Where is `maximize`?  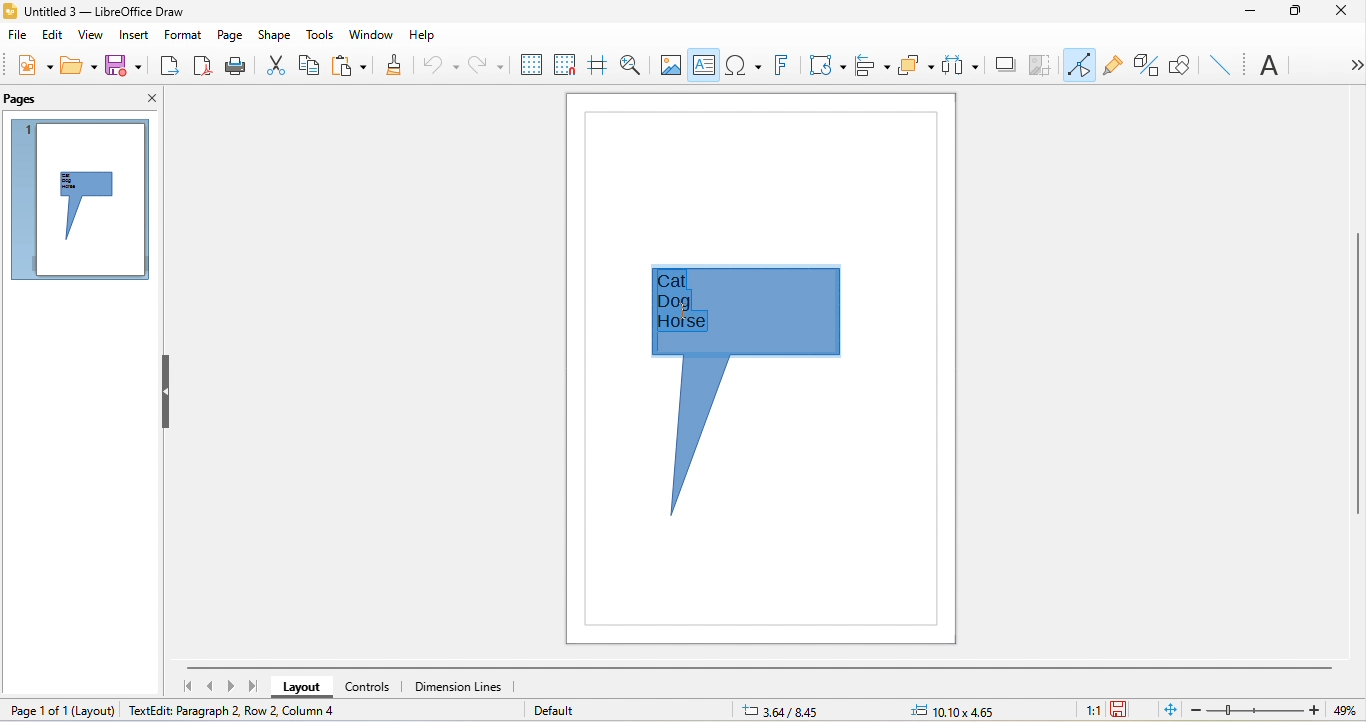
maximize is located at coordinates (1295, 12).